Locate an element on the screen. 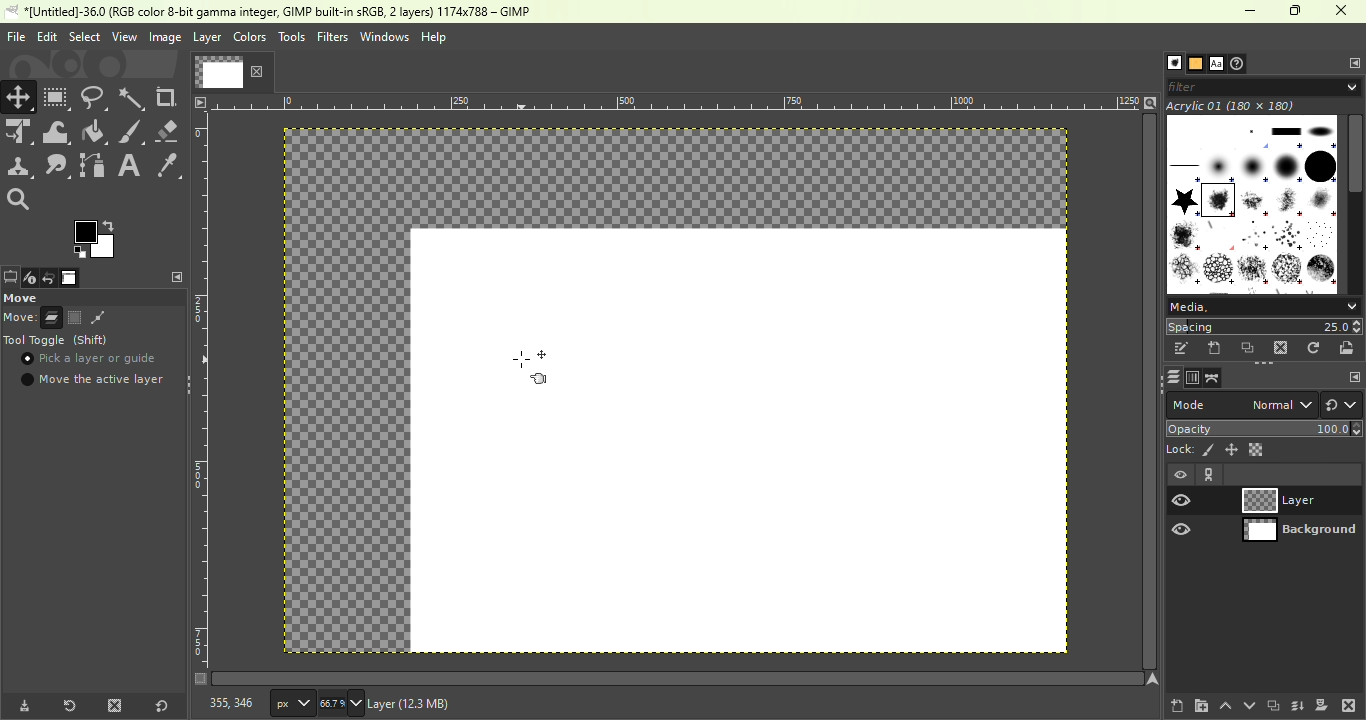 The image size is (1366, 720). Wrap transform is located at coordinates (56, 132).